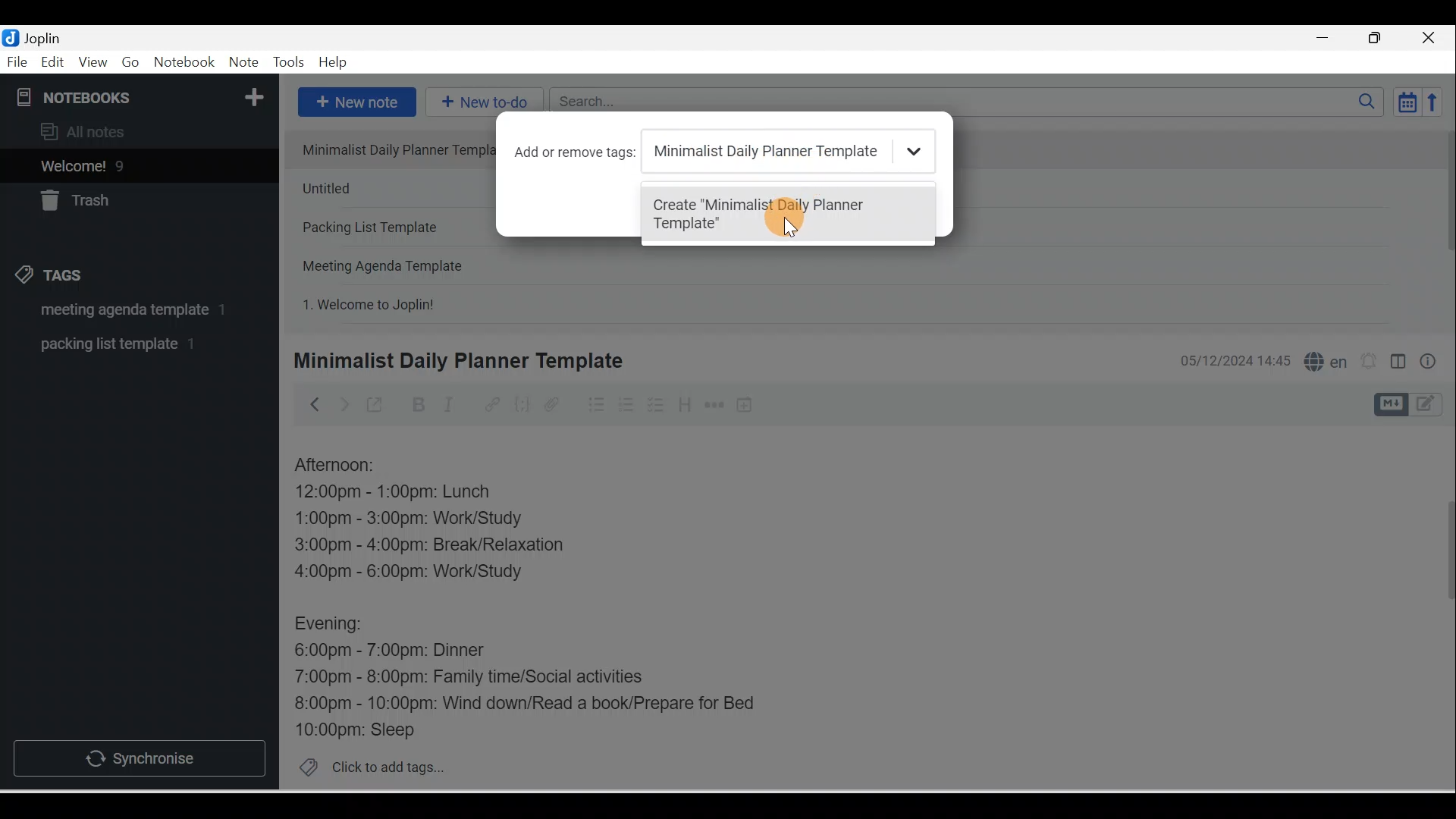 This screenshot has width=1456, height=819. Describe the element at coordinates (410, 493) in the screenshot. I see `12:00pm - 1:00pm: Lunch` at that location.